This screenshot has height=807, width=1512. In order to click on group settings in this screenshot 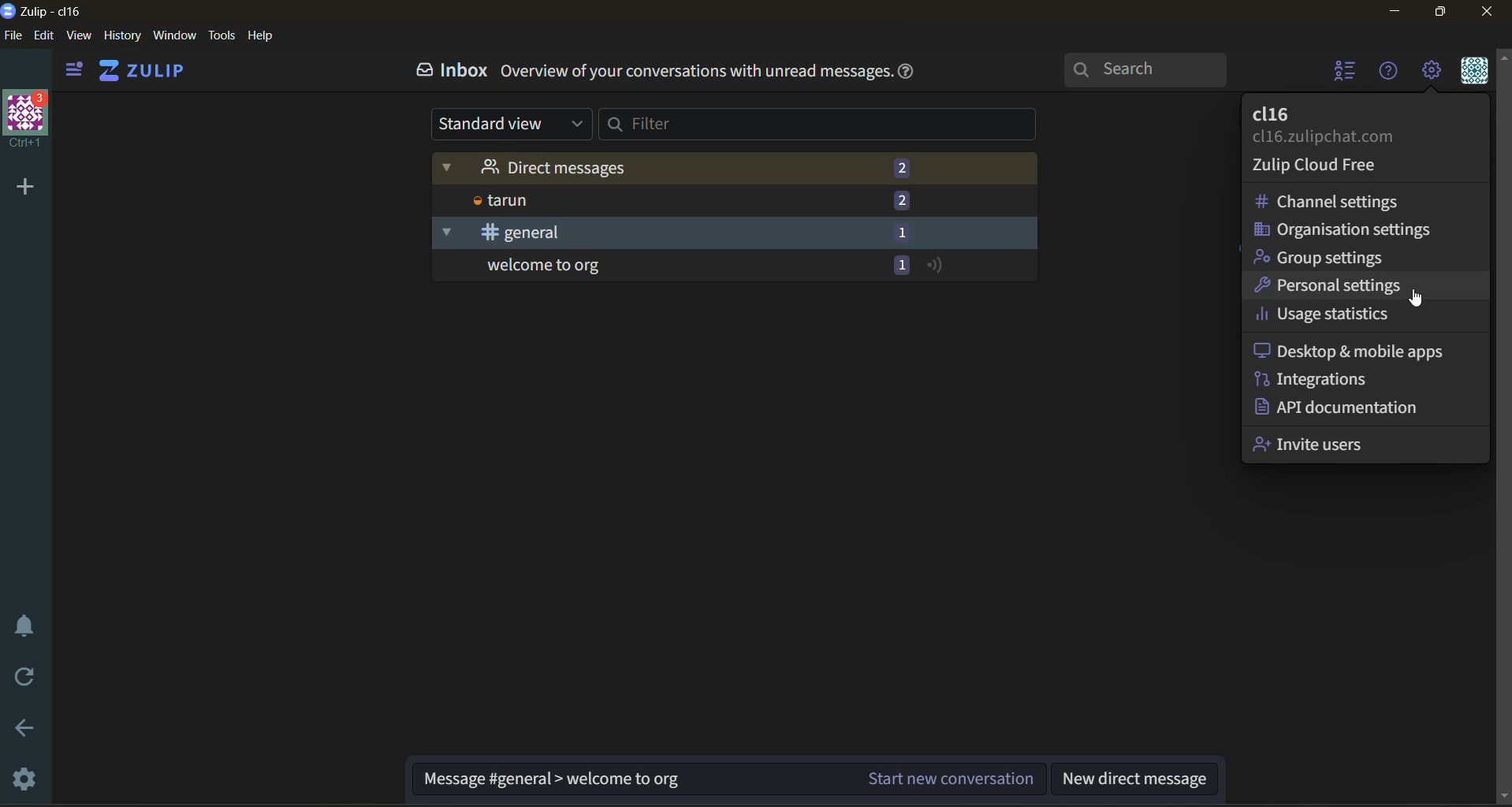, I will do `click(1363, 257)`.